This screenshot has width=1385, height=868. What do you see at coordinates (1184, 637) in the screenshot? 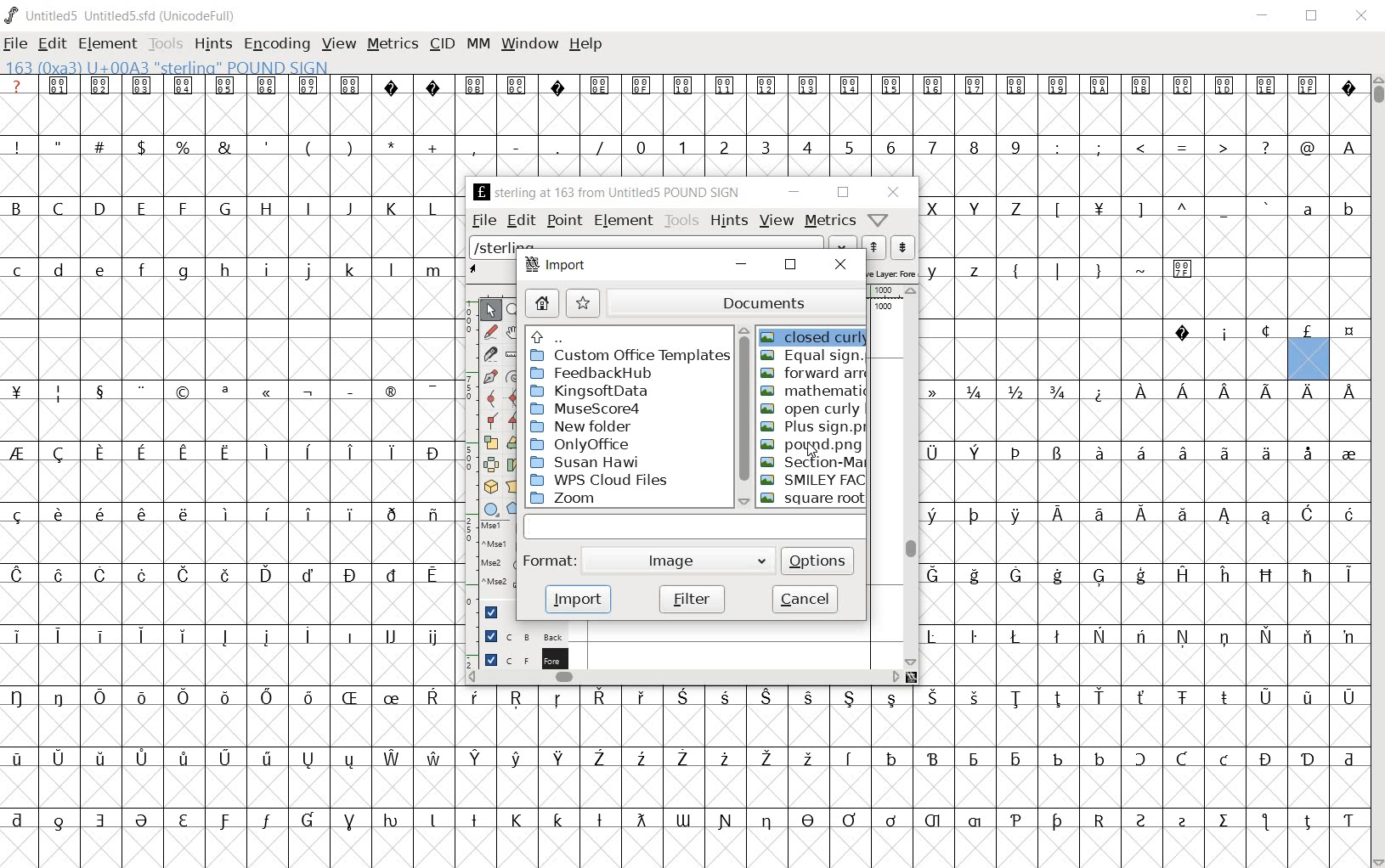
I see `Symbol` at bounding box center [1184, 637].